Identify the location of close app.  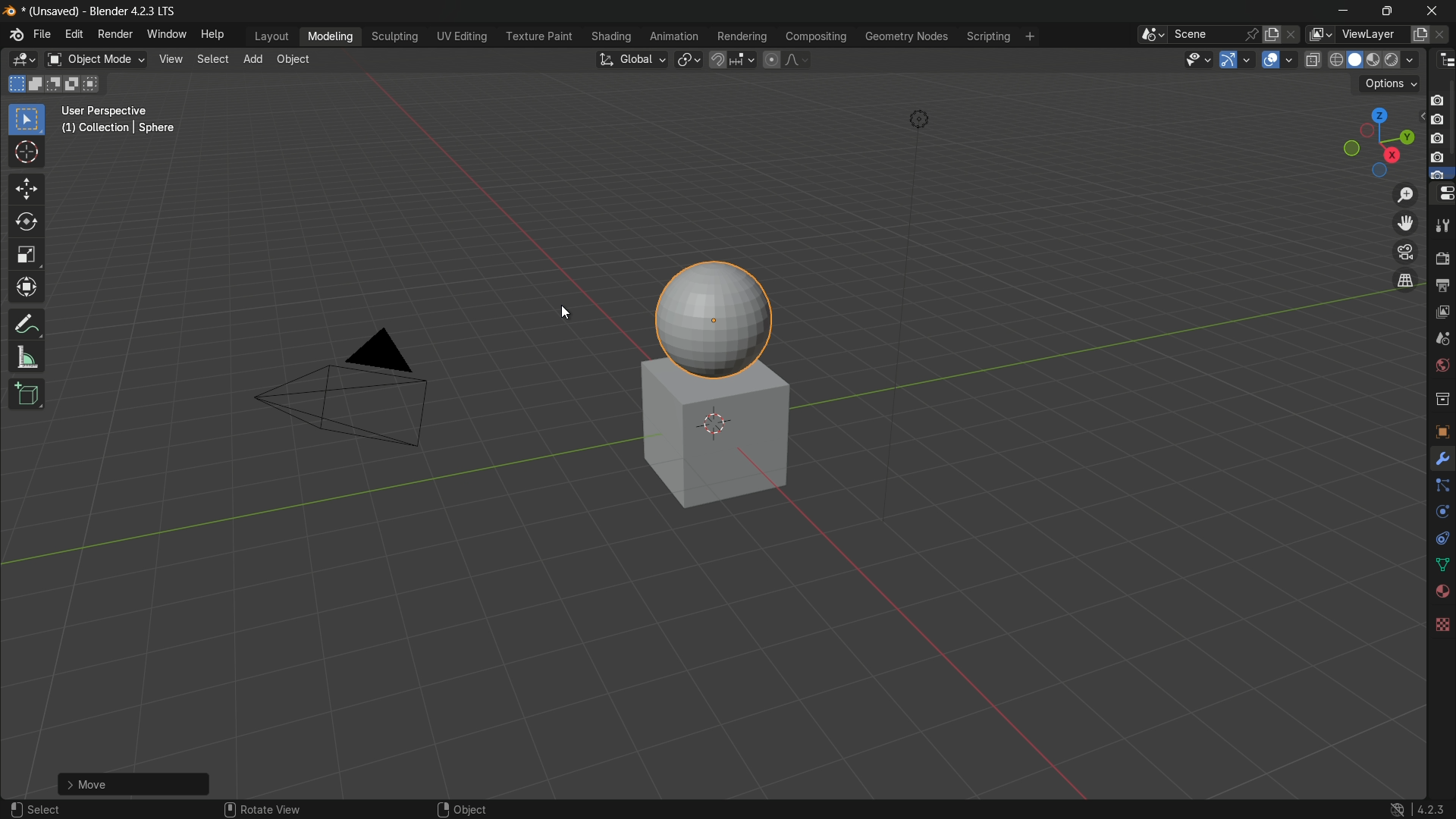
(1435, 11).